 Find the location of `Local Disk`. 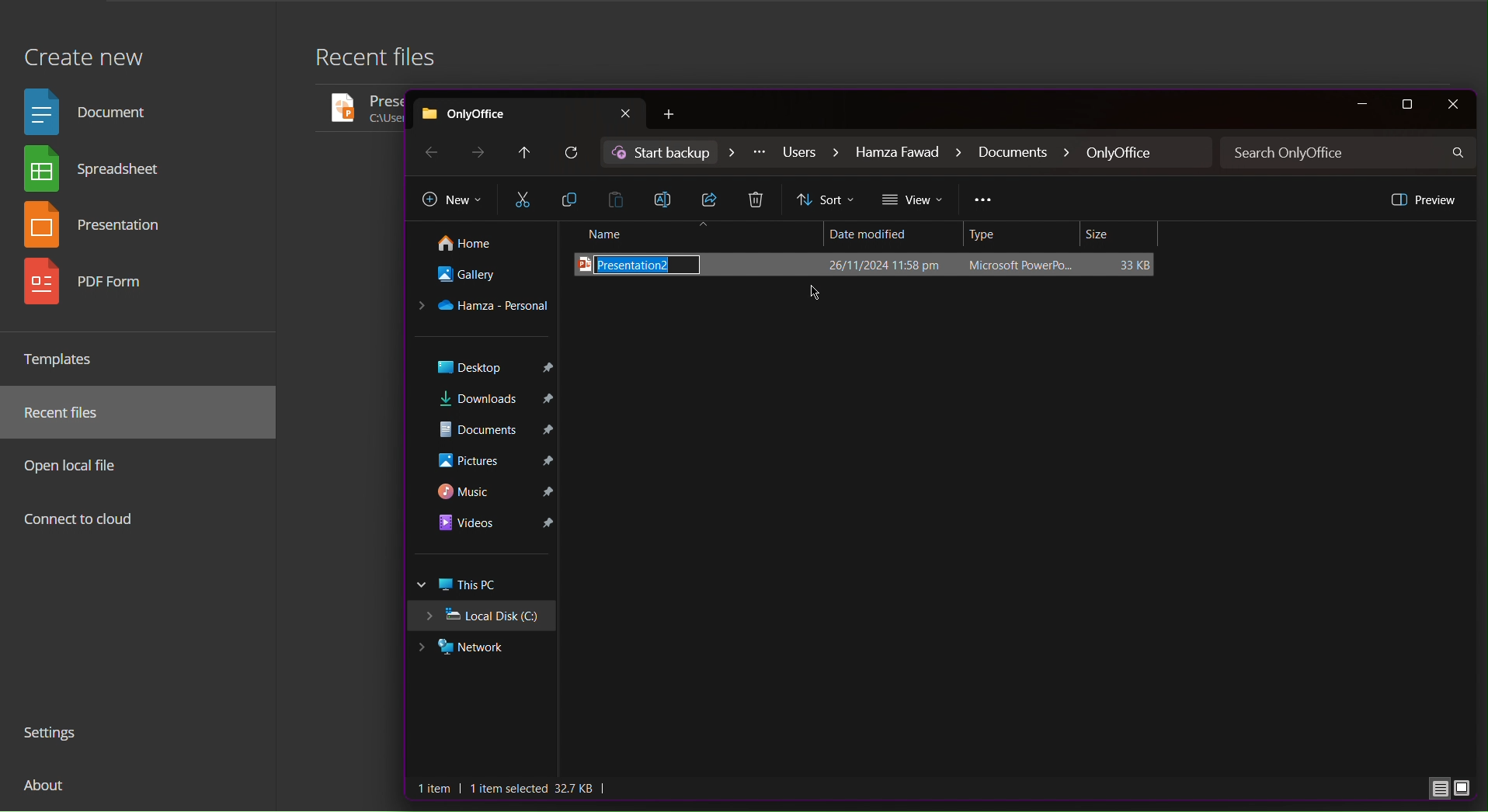

Local Disk is located at coordinates (487, 618).